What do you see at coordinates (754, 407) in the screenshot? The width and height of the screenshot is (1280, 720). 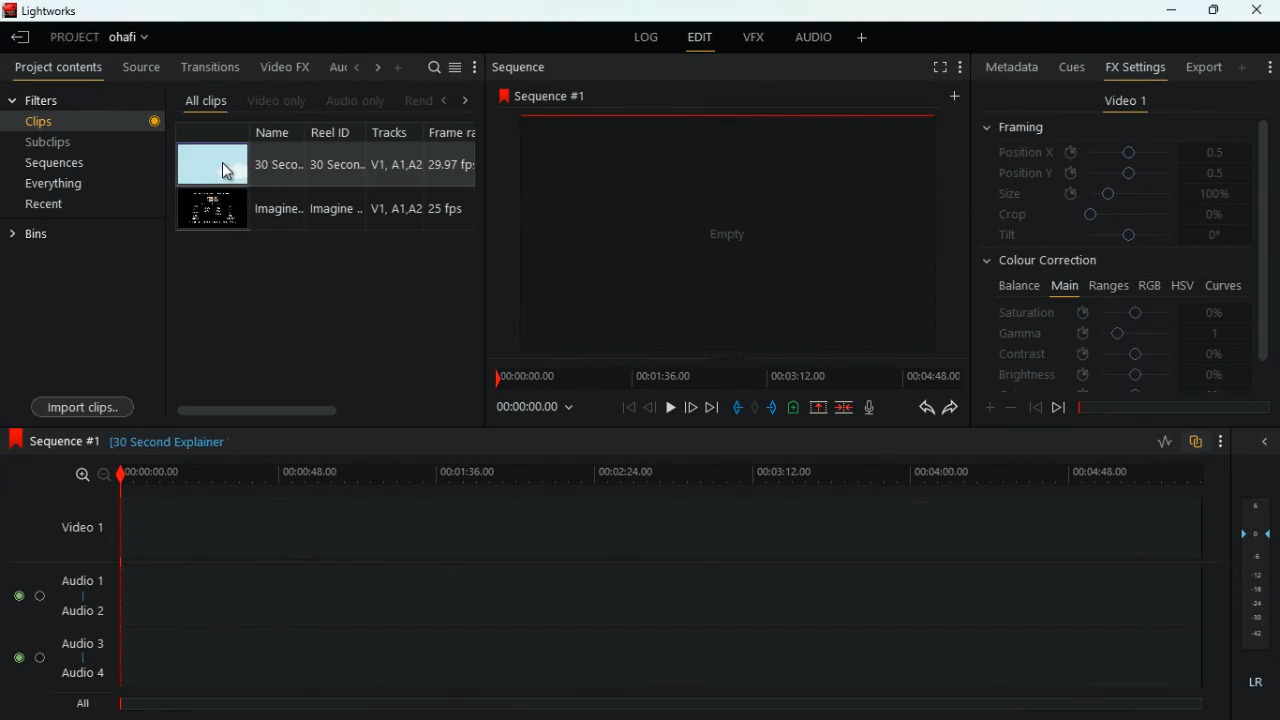 I see `hold` at bounding box center [754, 407].